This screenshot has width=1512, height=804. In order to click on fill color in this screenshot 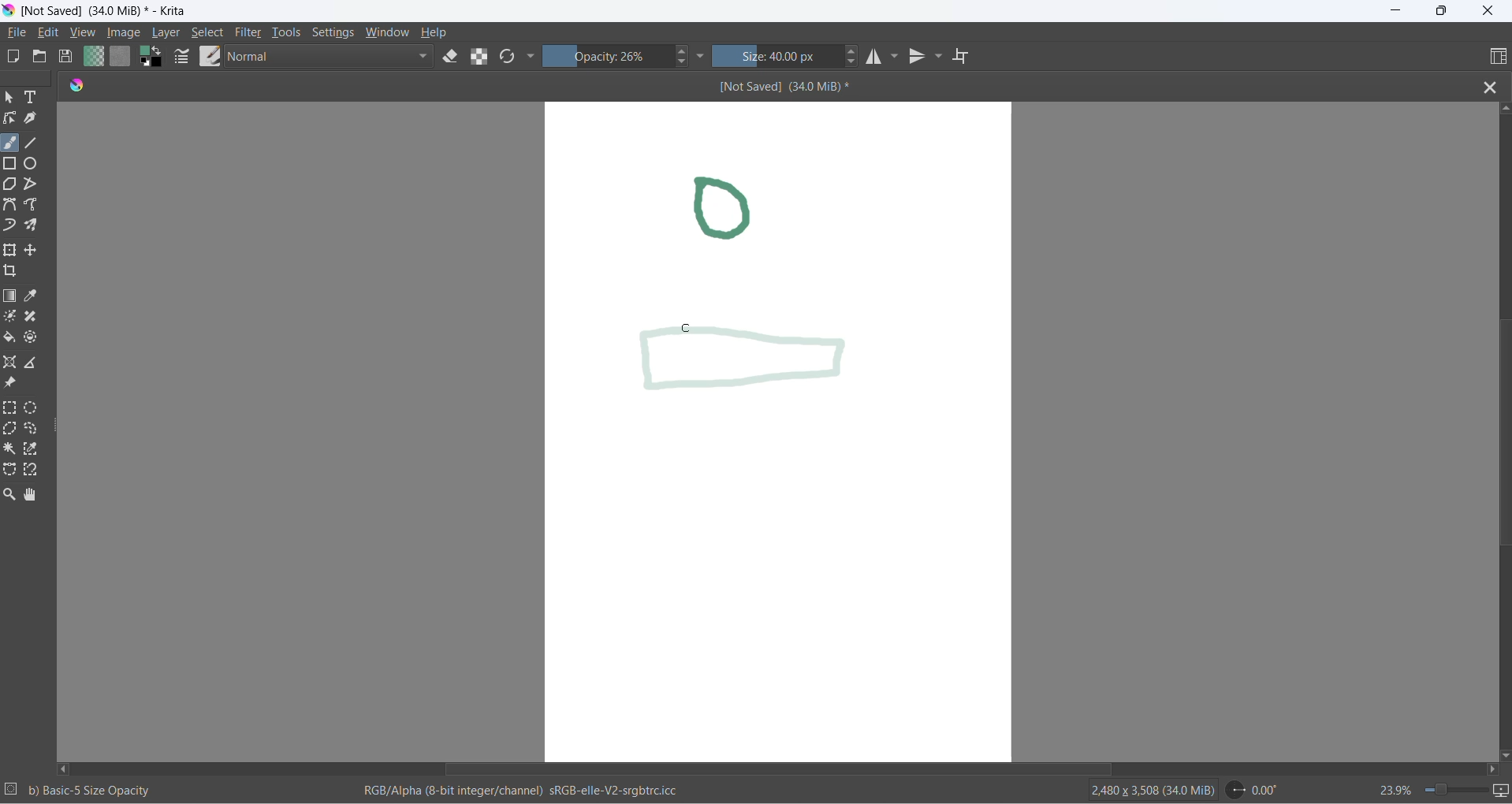, I will do `click(12, 340)`.